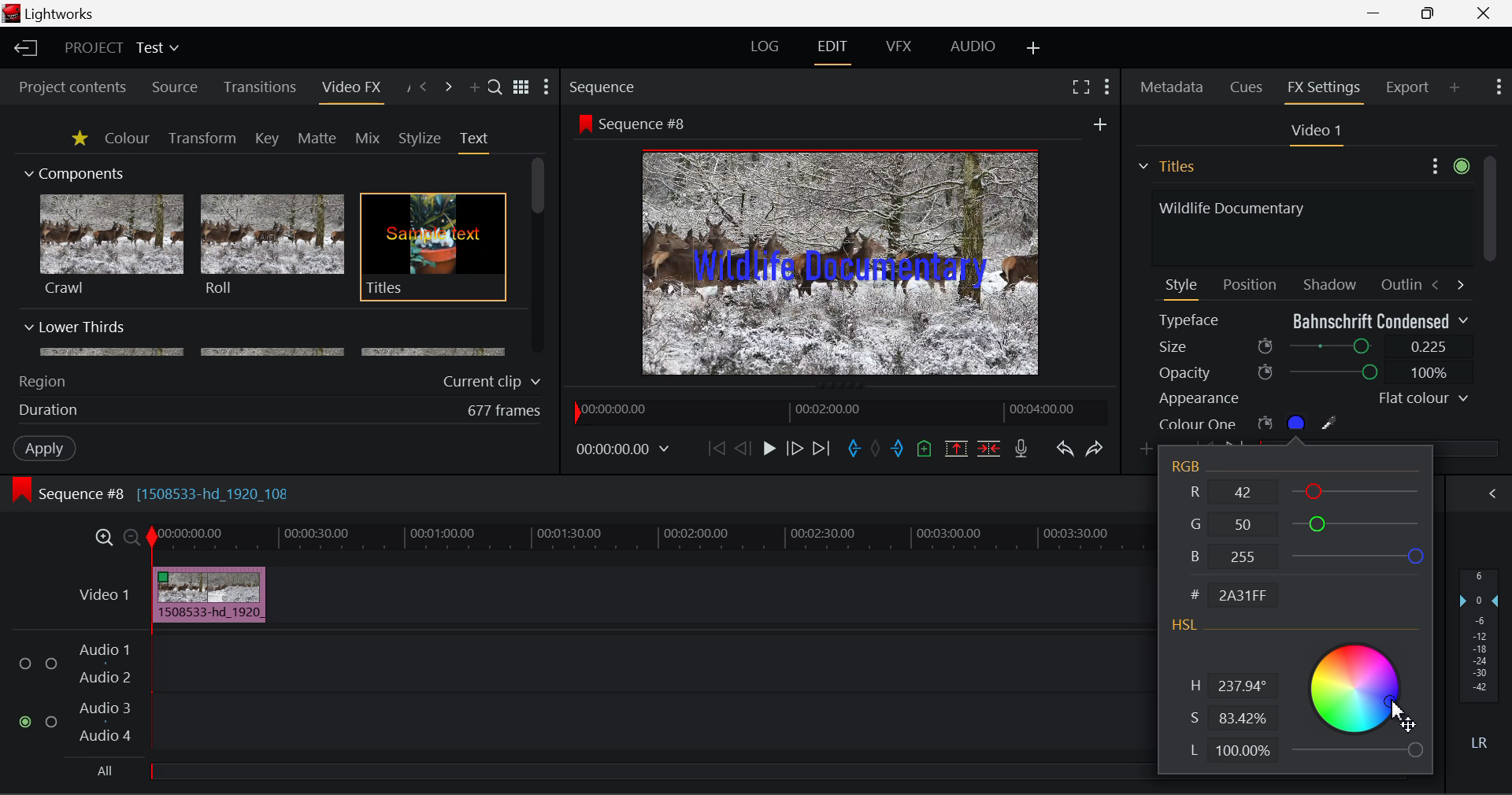  What do you see at coordinates (1499, 85) in the screenshot?
I see `Show Settings` at bounding box center [1499, 85].